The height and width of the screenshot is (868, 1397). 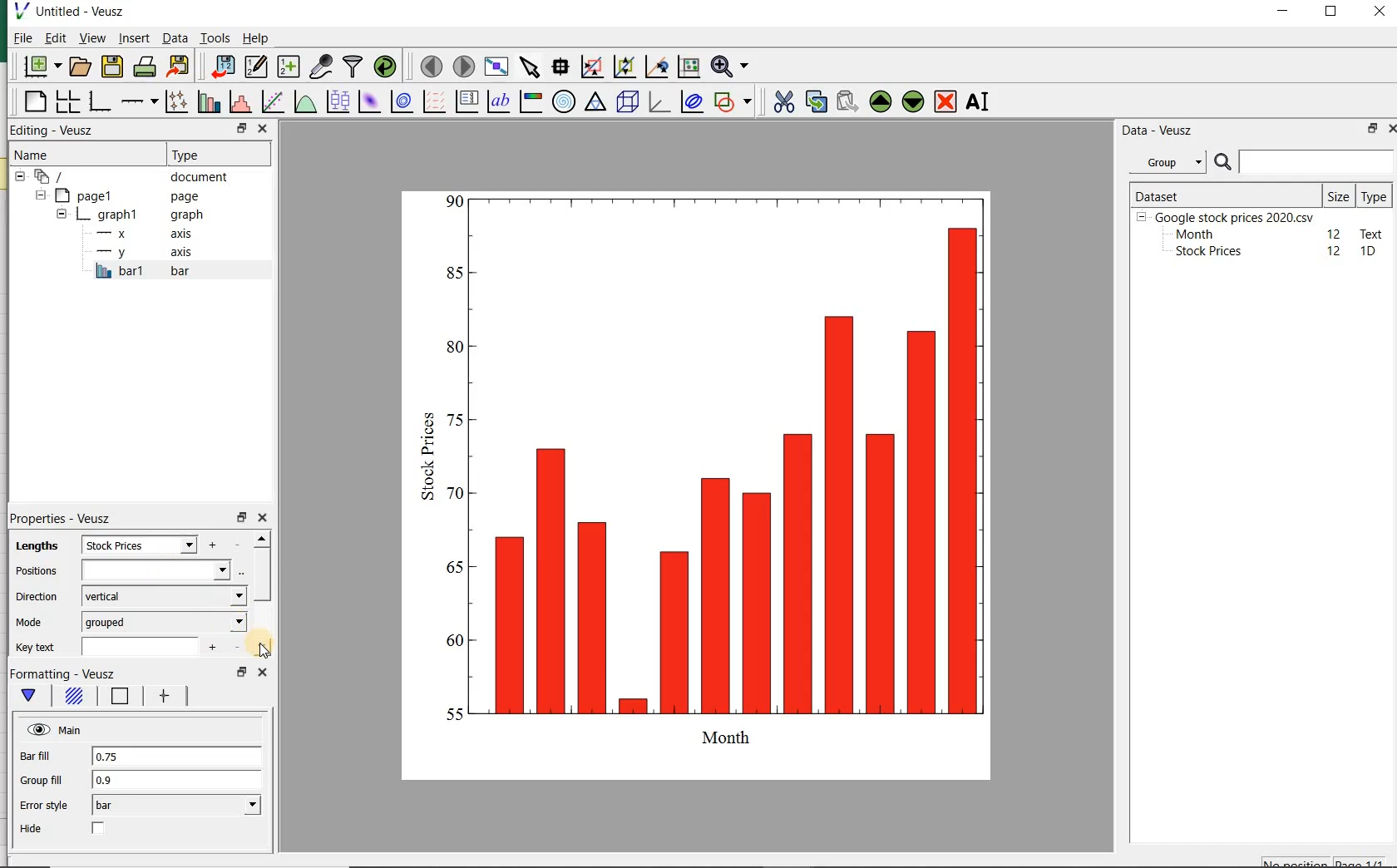 I want to click on error bar line, so click(x=167, y=696).